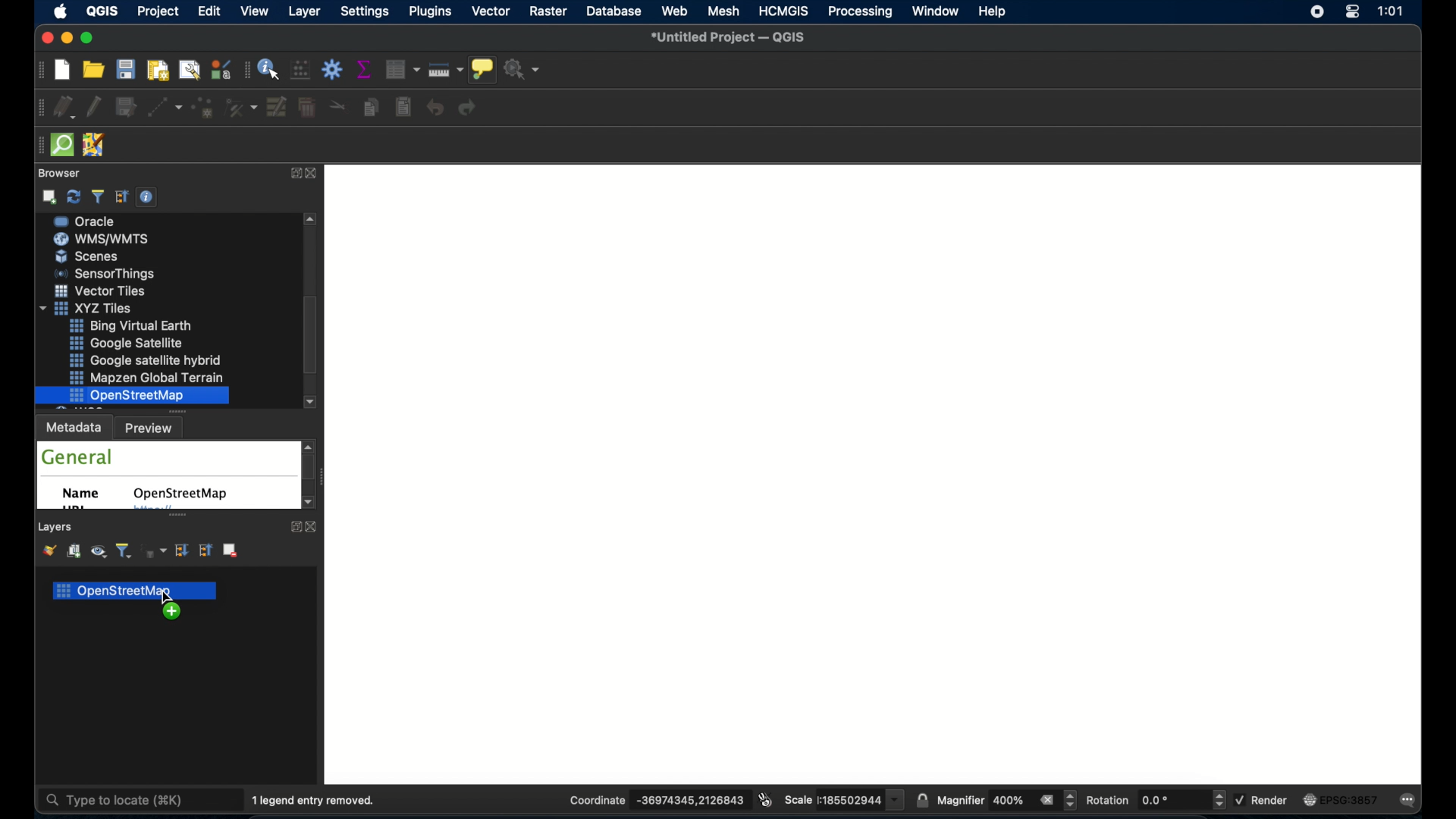  What do you see at coordinates (123, 801) in the screenshot?
I see `type to locate` at bounding box center [123, 801].